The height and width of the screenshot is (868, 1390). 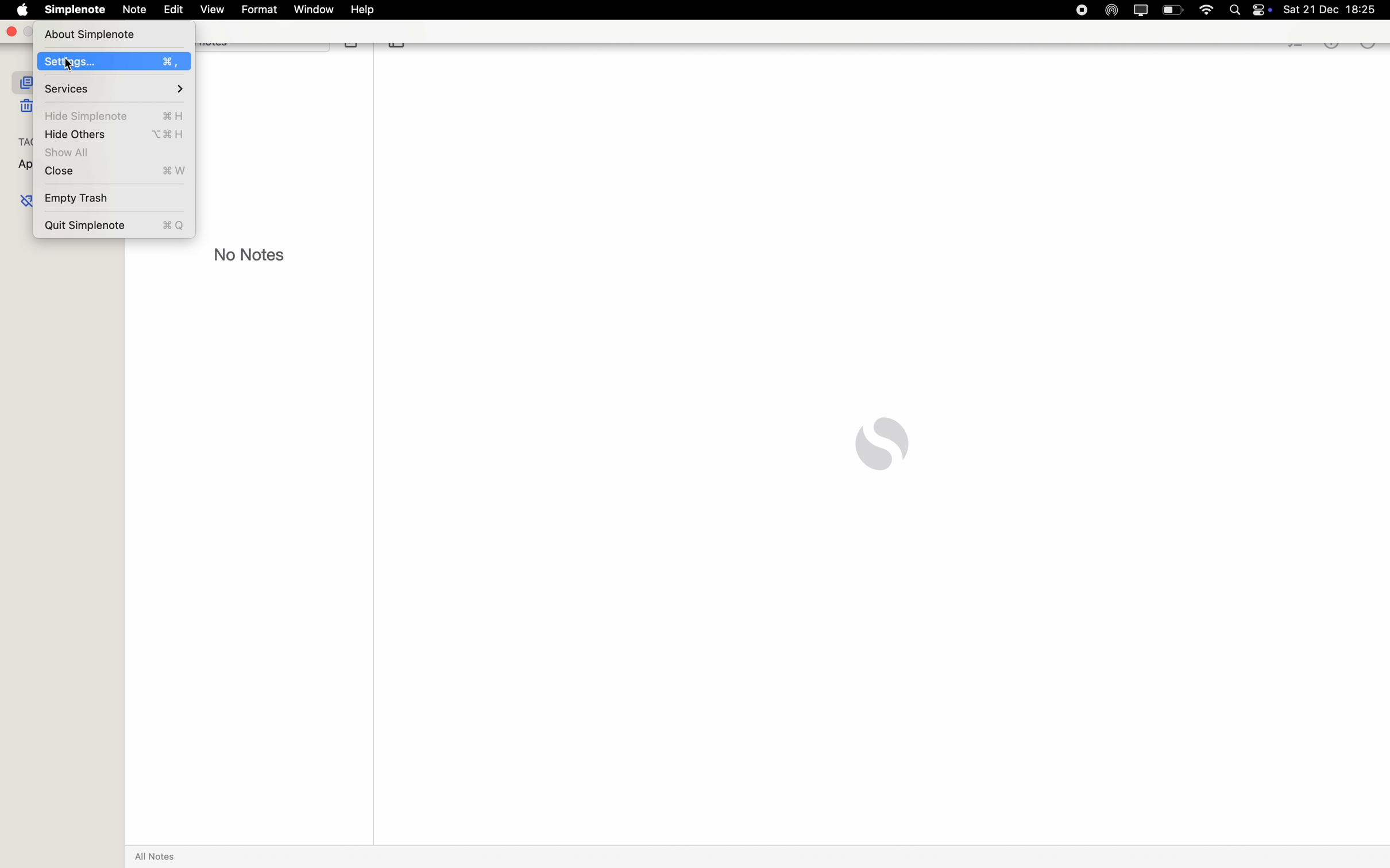 I want to click on close, so click(x=114, y=170).